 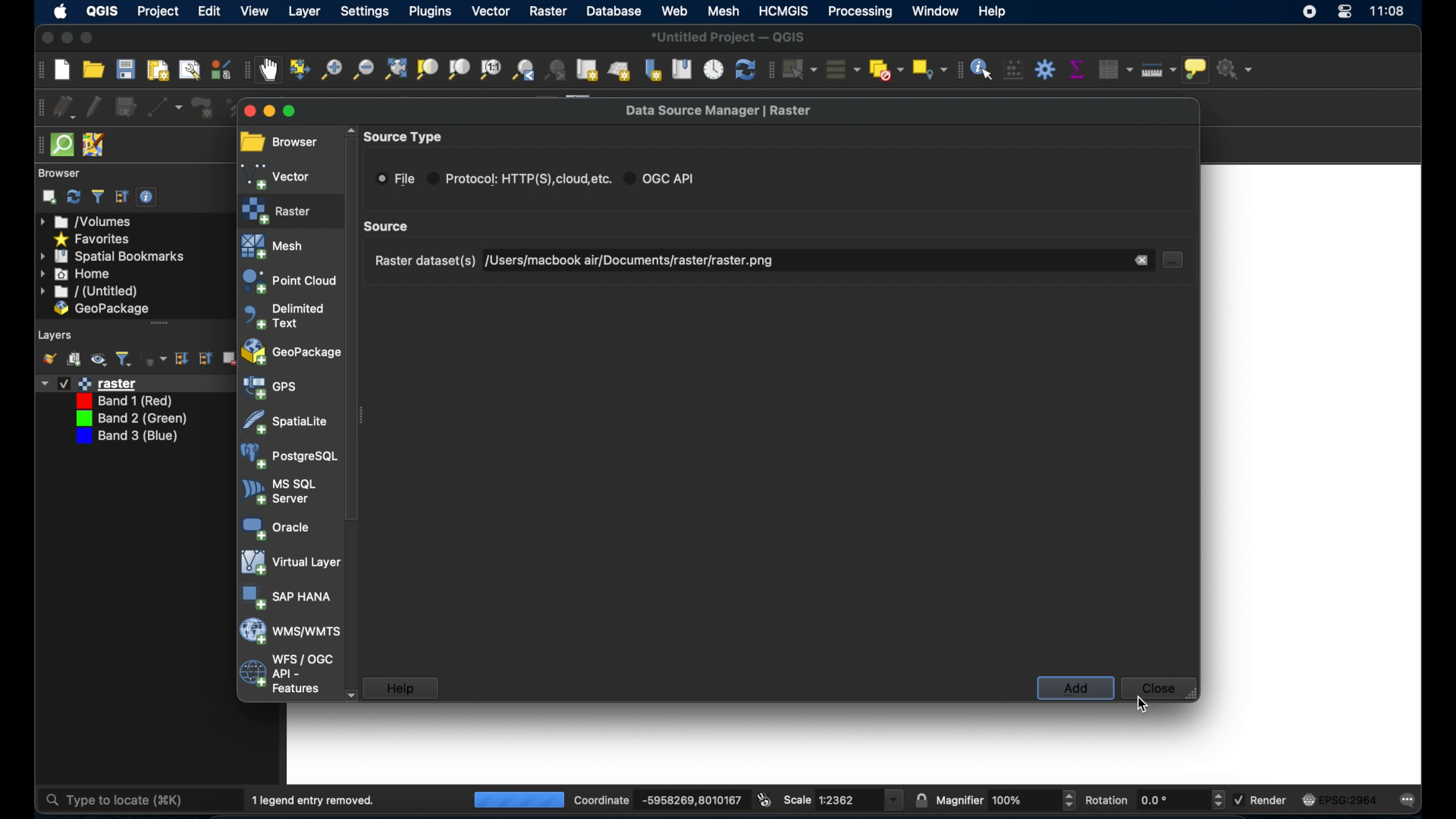 I want to click on show layout manager, so click(x=187, y=71).